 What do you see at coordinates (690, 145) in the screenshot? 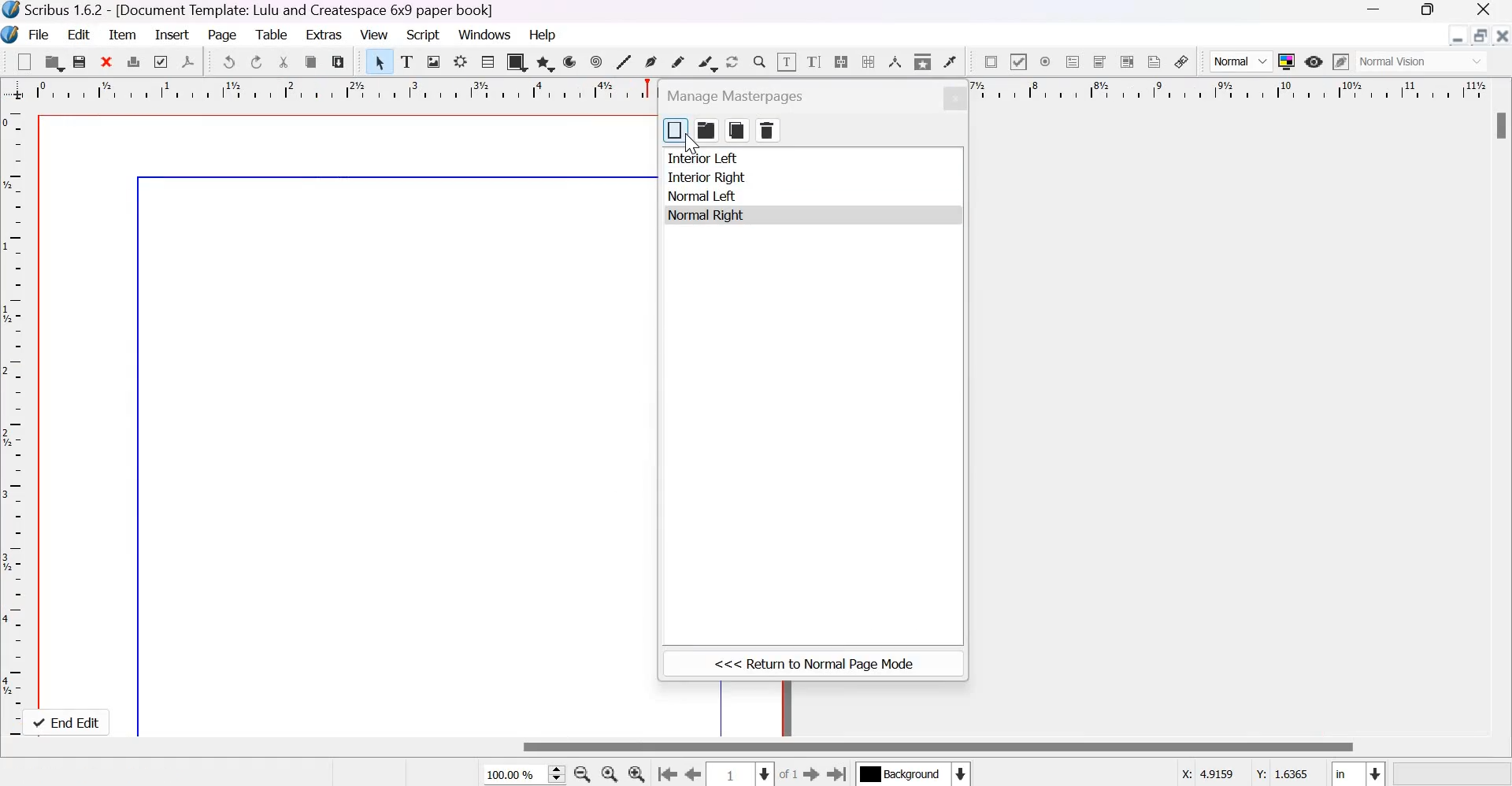
I see `cursor` at bounding box center [690, 145].